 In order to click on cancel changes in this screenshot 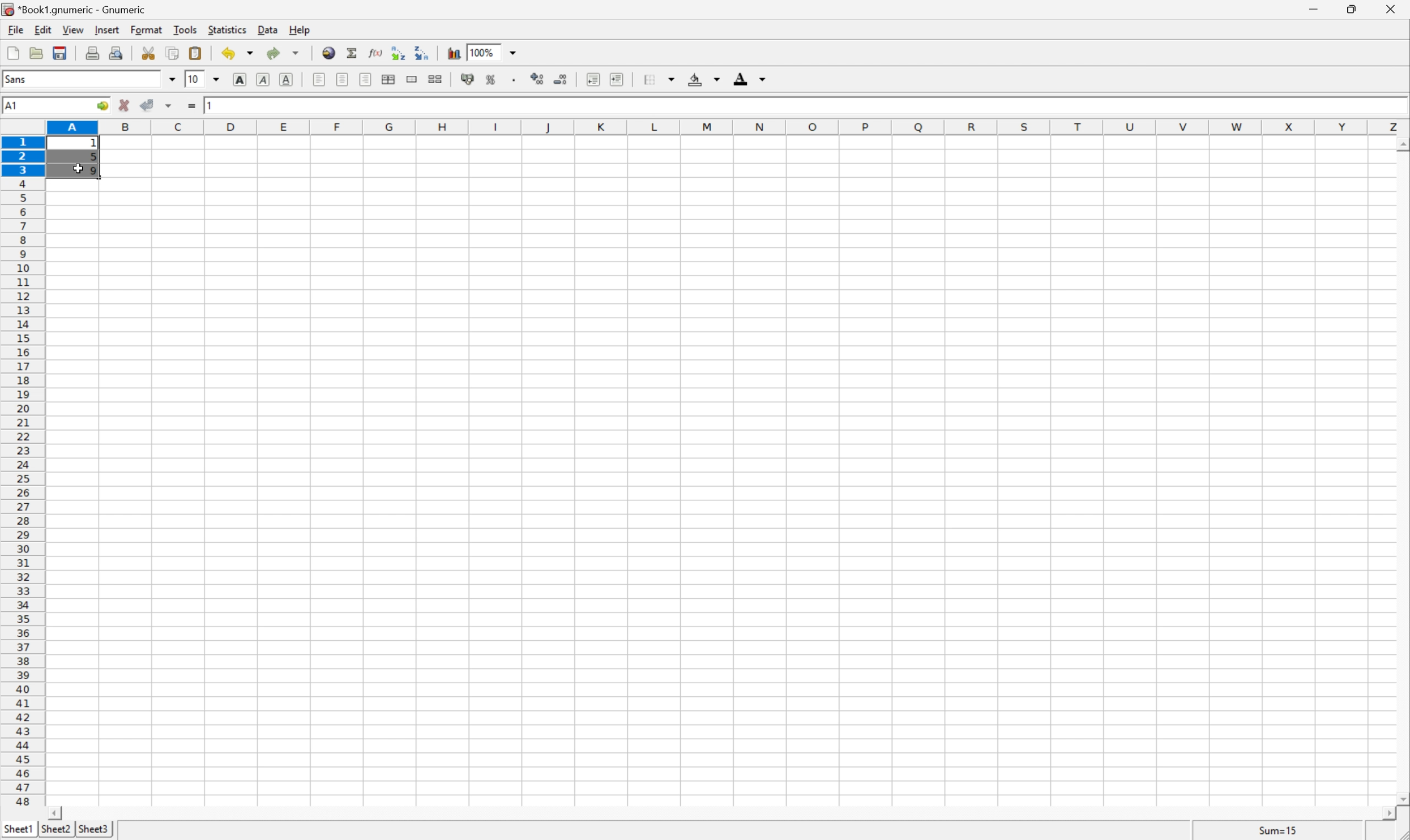, I will do `click(125, 105)`.